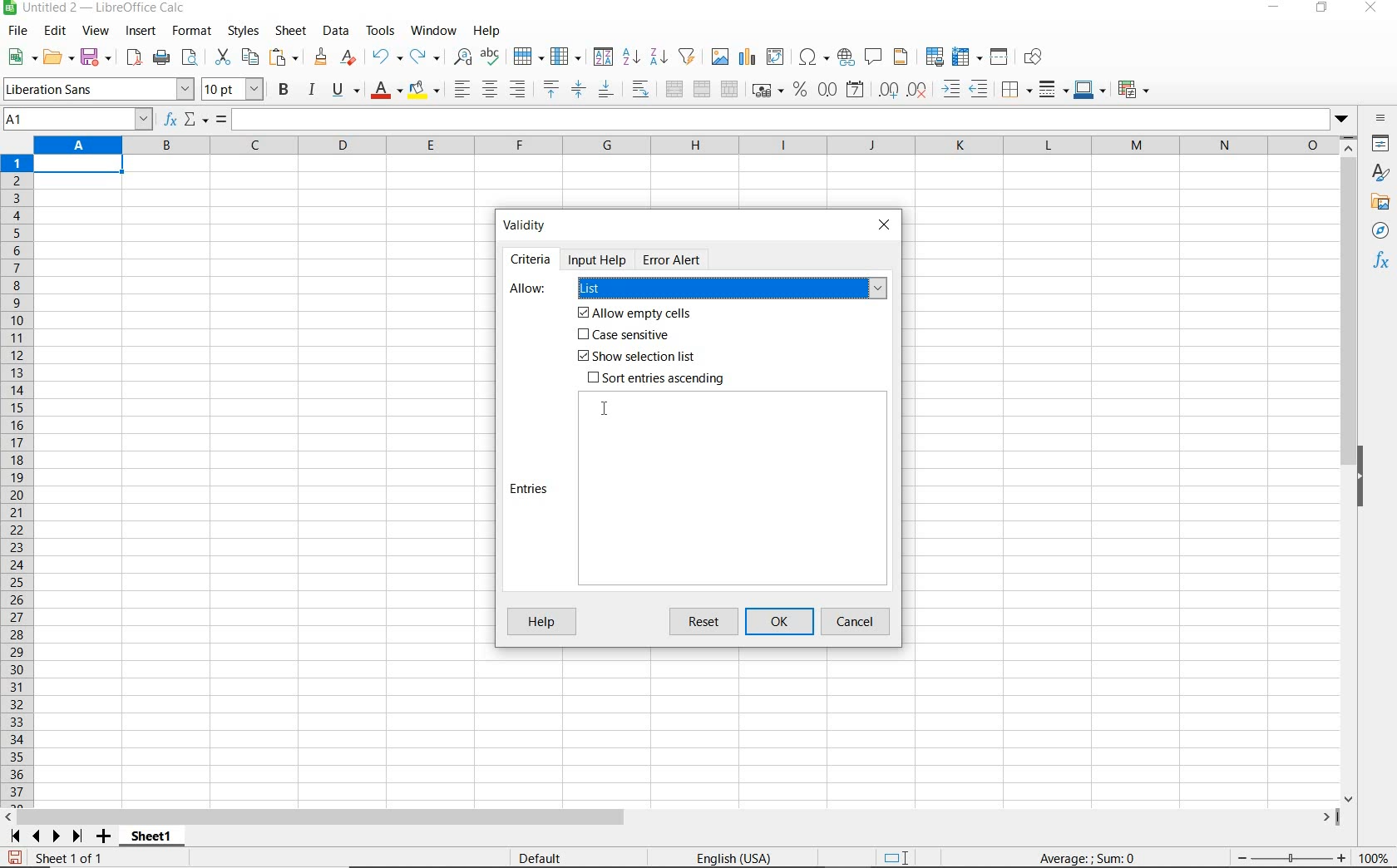 This screenshot has height=868, width=1397. Describe the element at coordinates (605, 91) in the screenshot. I see `align bottom` at that location.